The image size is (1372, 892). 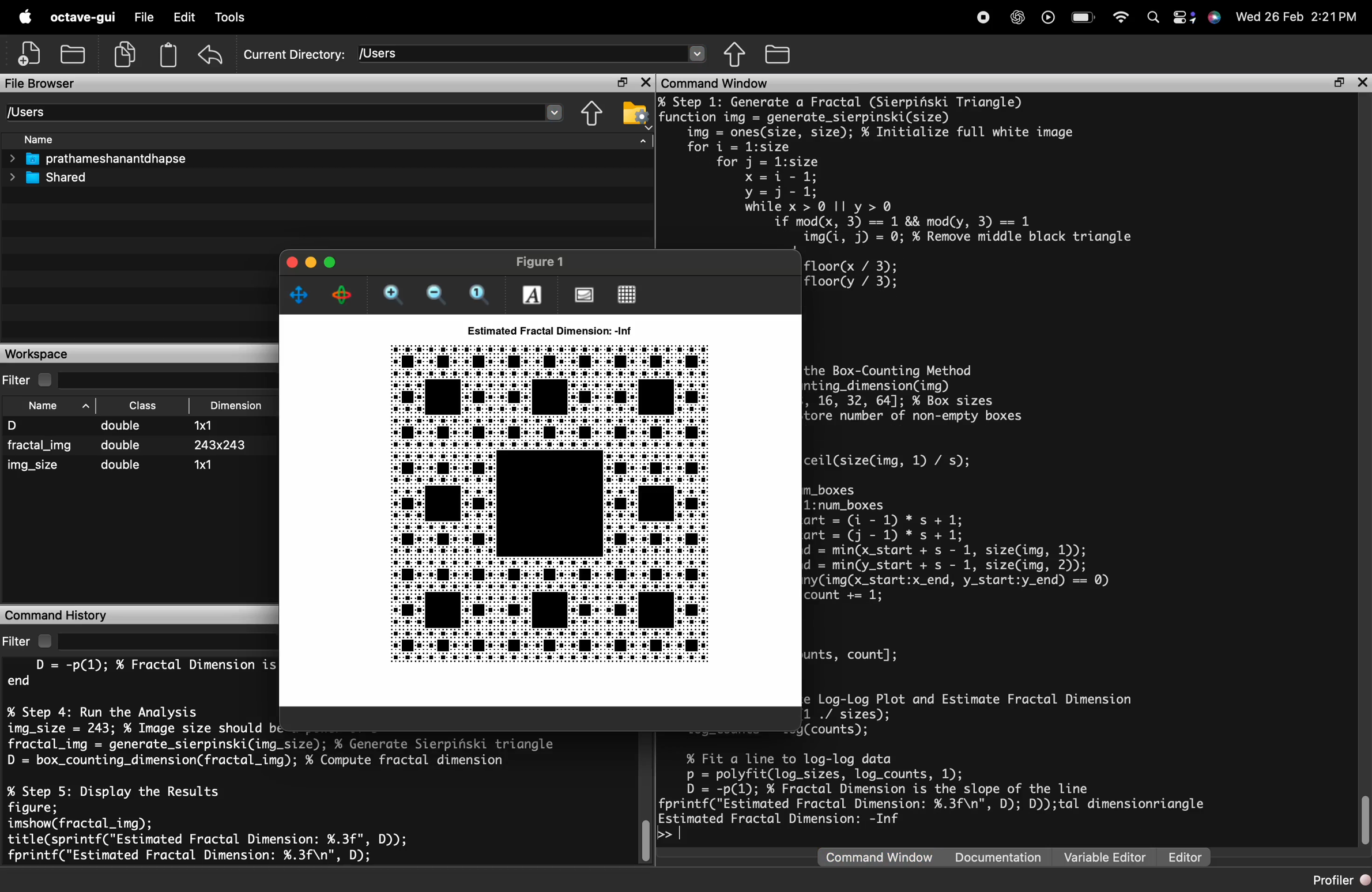 I want to click on prompt cursor, so click(x=668, y=834).